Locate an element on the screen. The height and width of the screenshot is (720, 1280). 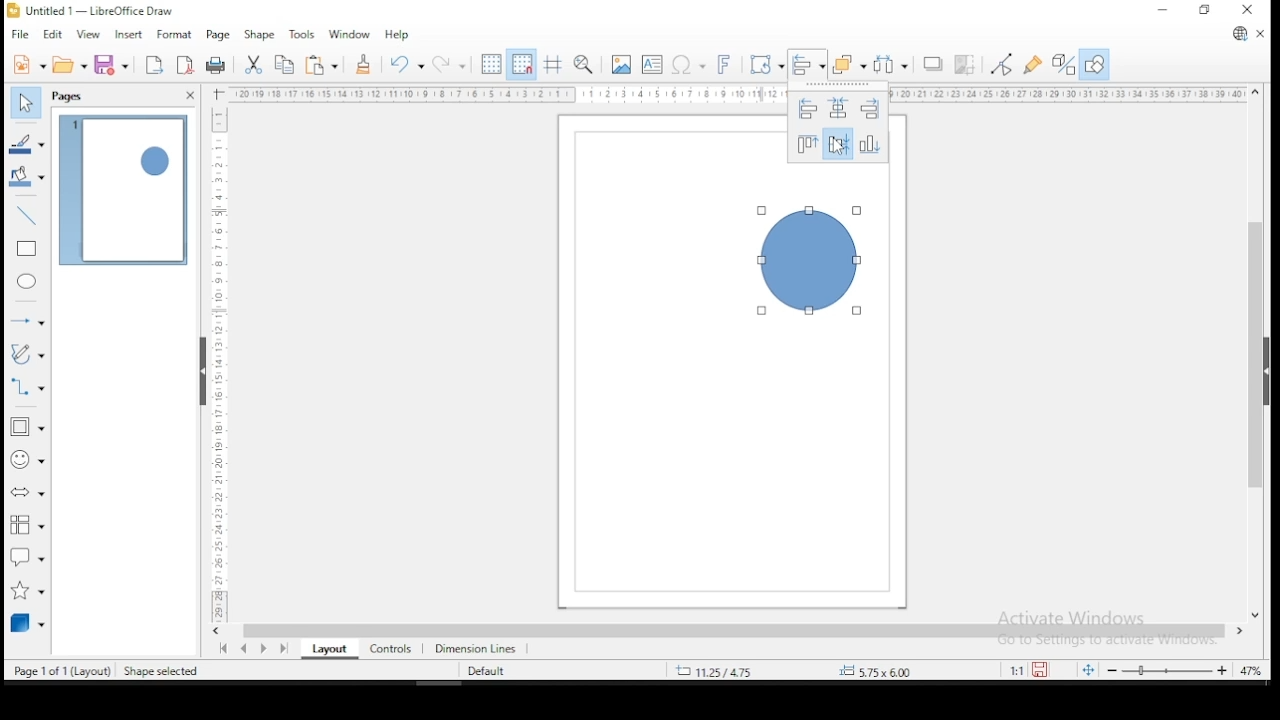
clone formatting is located at coordinates (363, 64).